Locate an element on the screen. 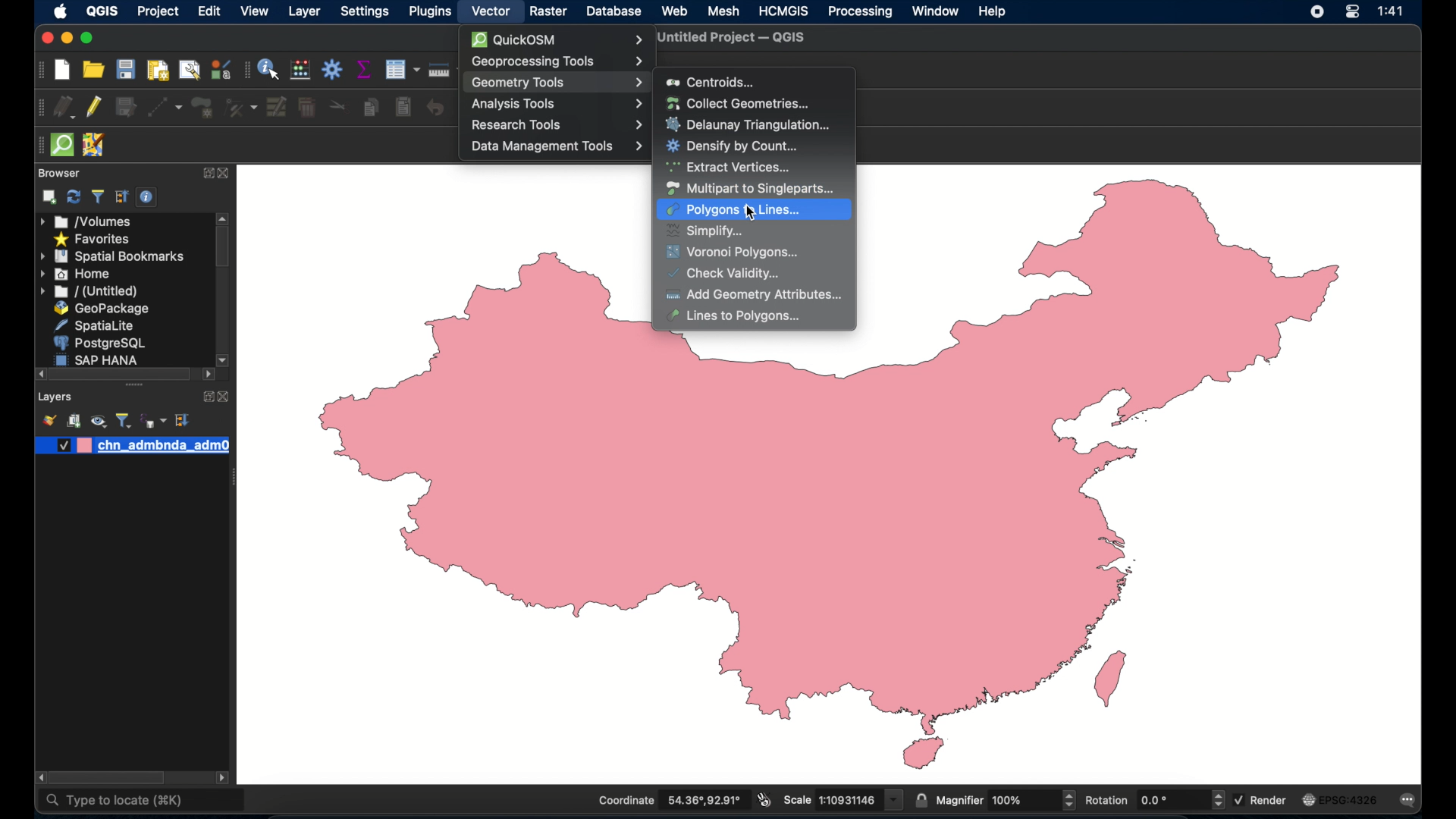 The image size is (1456, 819). scrol lleft arrow is located at coordinates (207, 376).